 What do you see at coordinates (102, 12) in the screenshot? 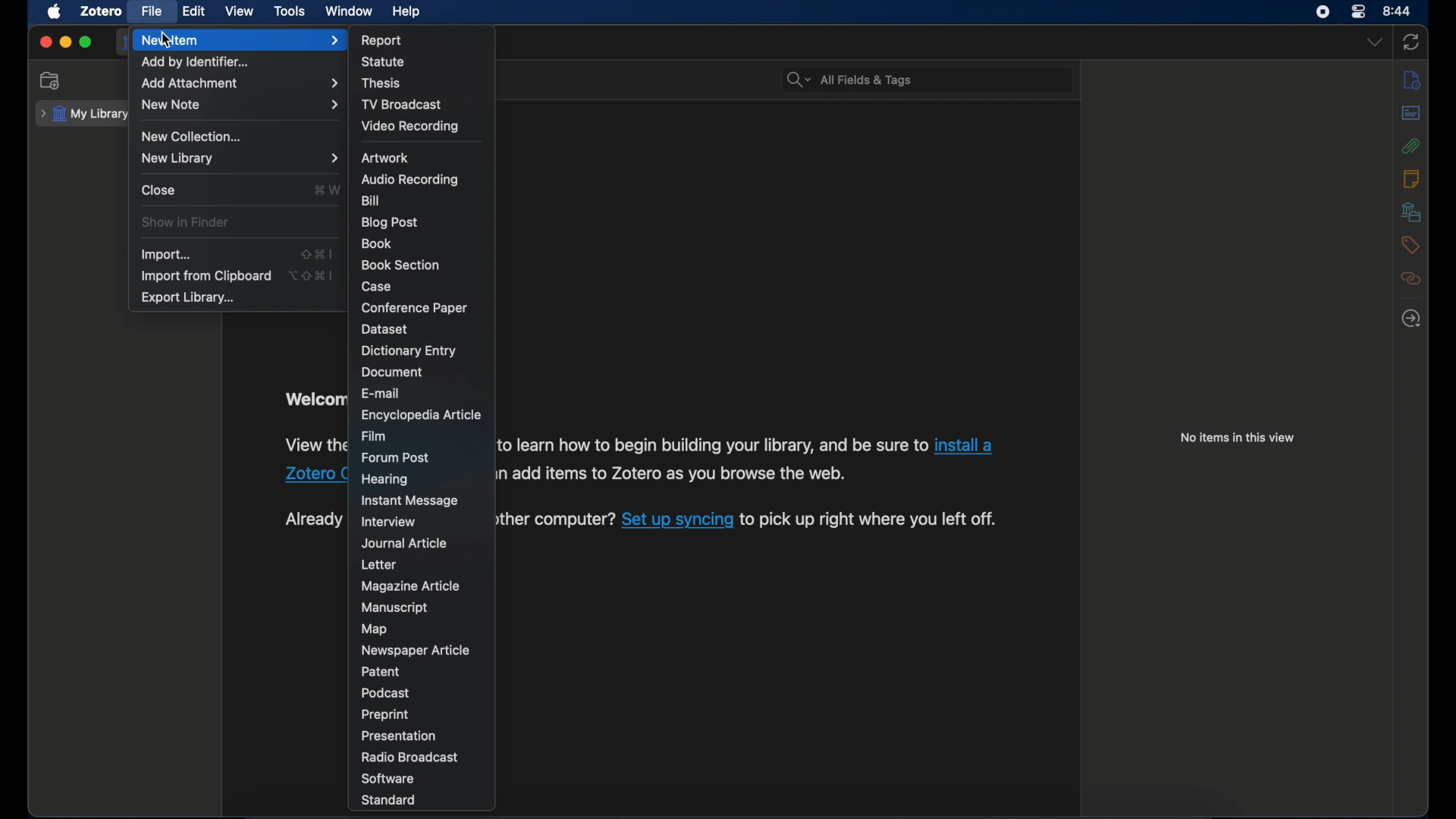
I see `zotero` at bounding box center [102, 12].